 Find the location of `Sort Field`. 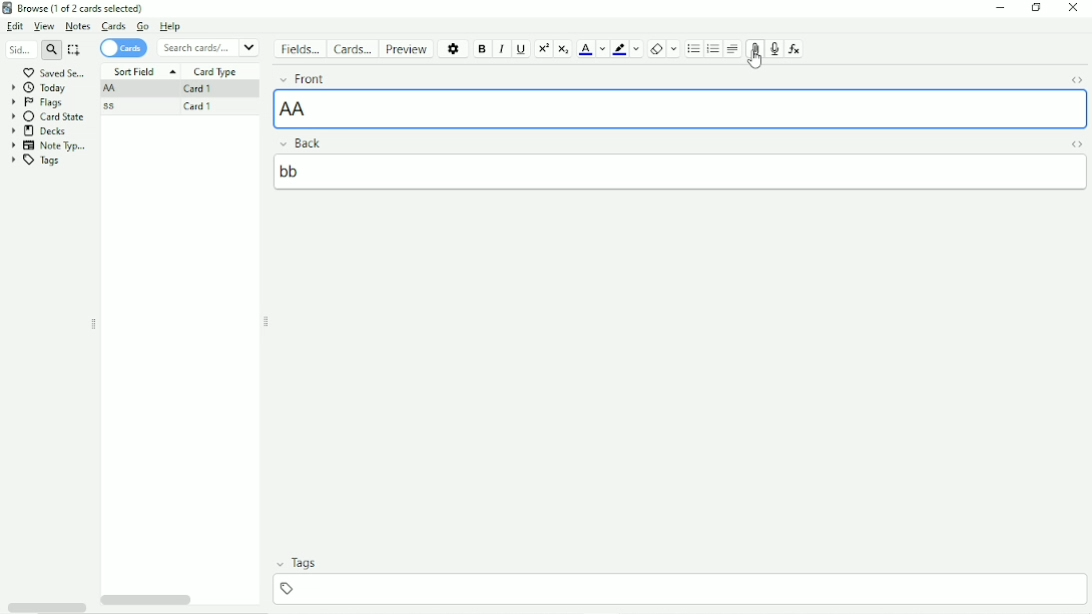

Sort Field is located at coordinates (146, 72).